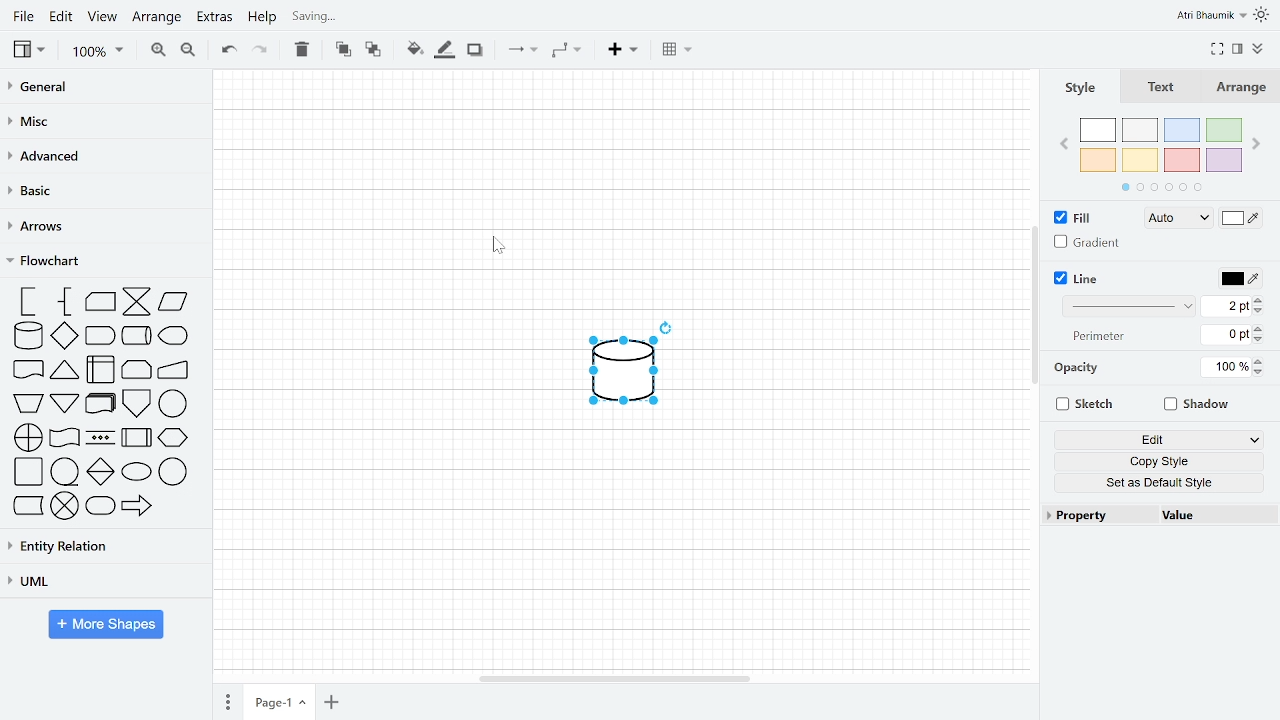 This screenshot has height=720, width=1280. Describe the element at coordinates (1224, 334) in the screenshot. I see `Current perimeter` at that location.